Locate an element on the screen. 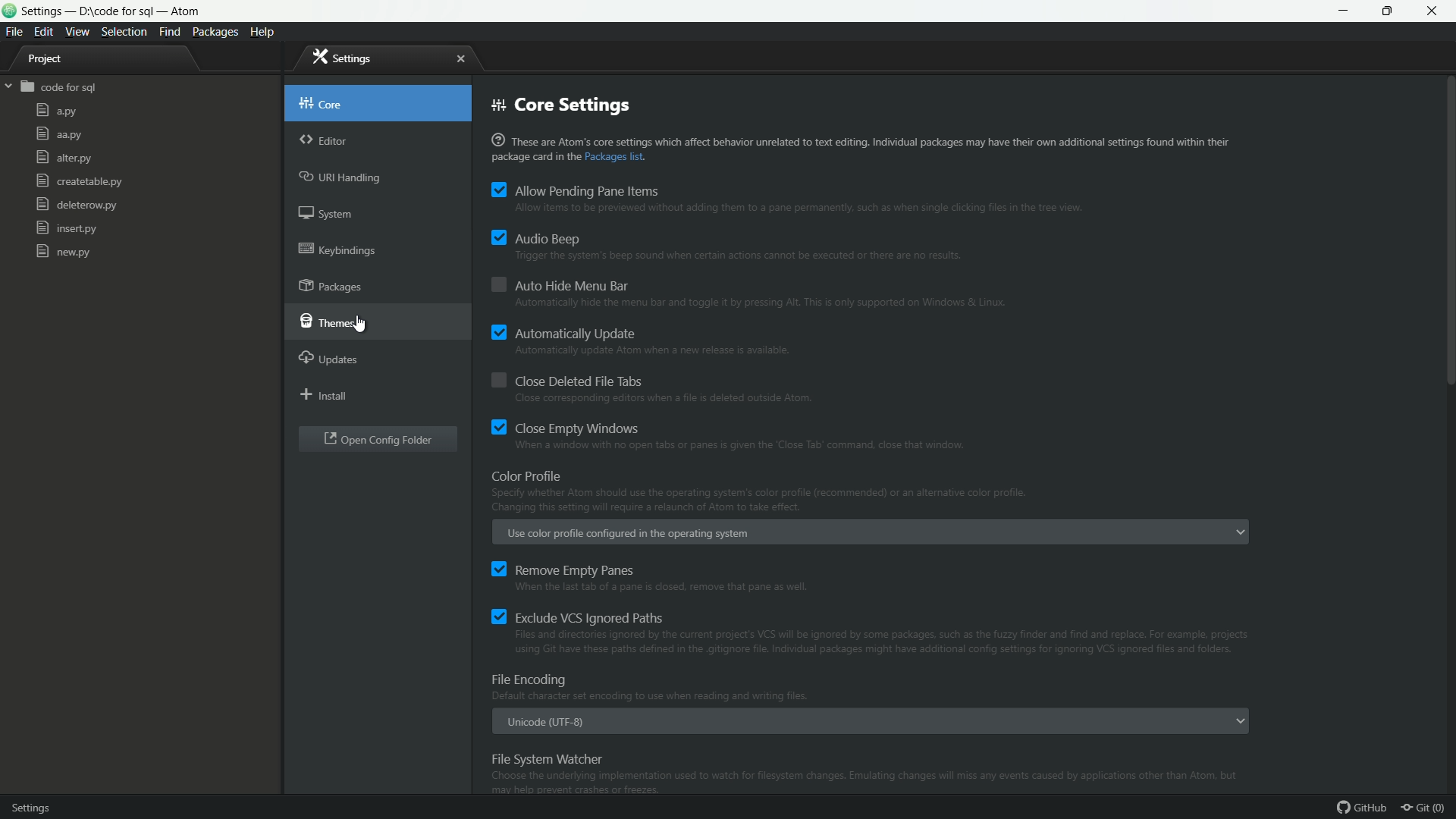 Image resolution: width=1456 pixels, height=819 pixels. settings is located at coordinates (44, 805).